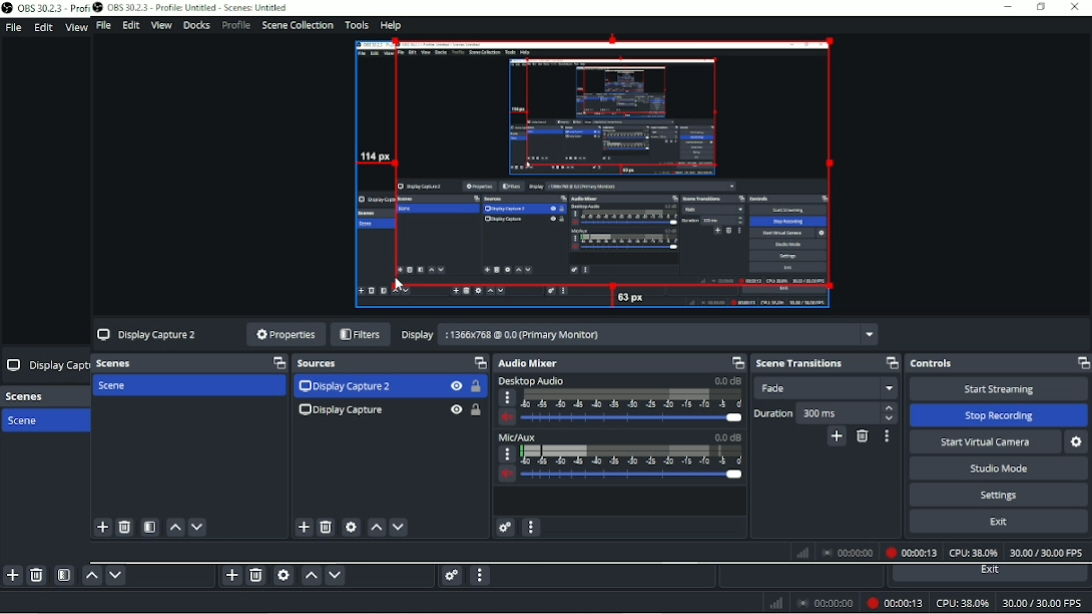  What do you see at coordinates (519, 438) in the screenshot?
I see `Mic/Aux` at bounding box center [519, 438].